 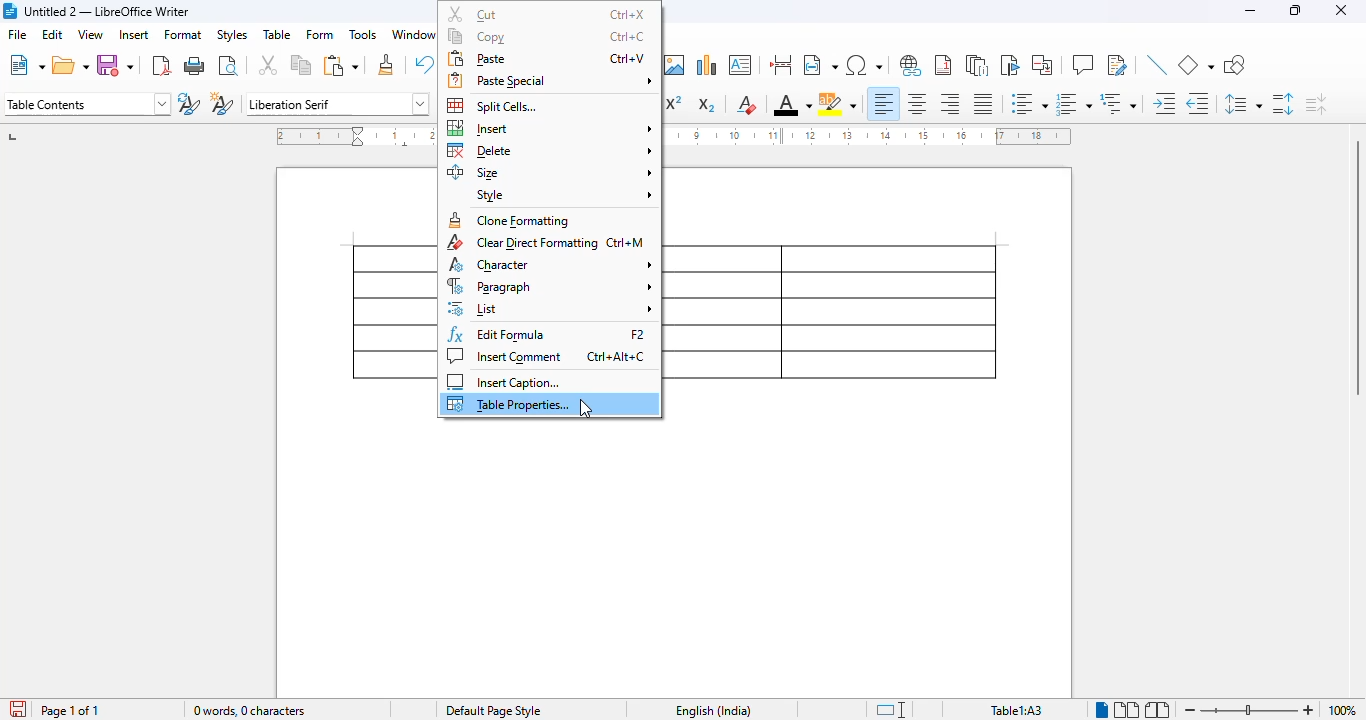 I want to click on print, so click(x=196, y=66).